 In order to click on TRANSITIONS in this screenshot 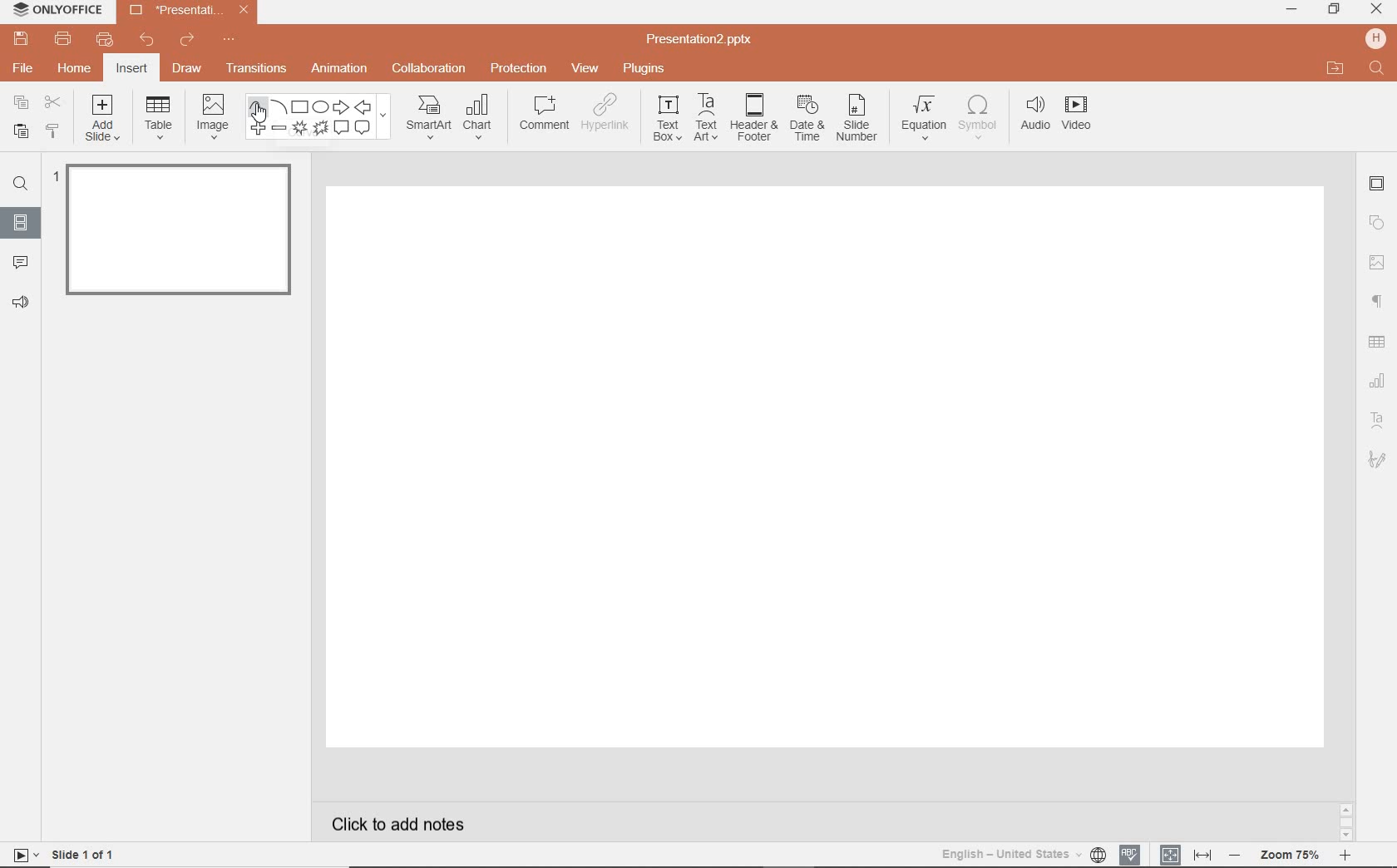, I will do `click(259, 70)`.